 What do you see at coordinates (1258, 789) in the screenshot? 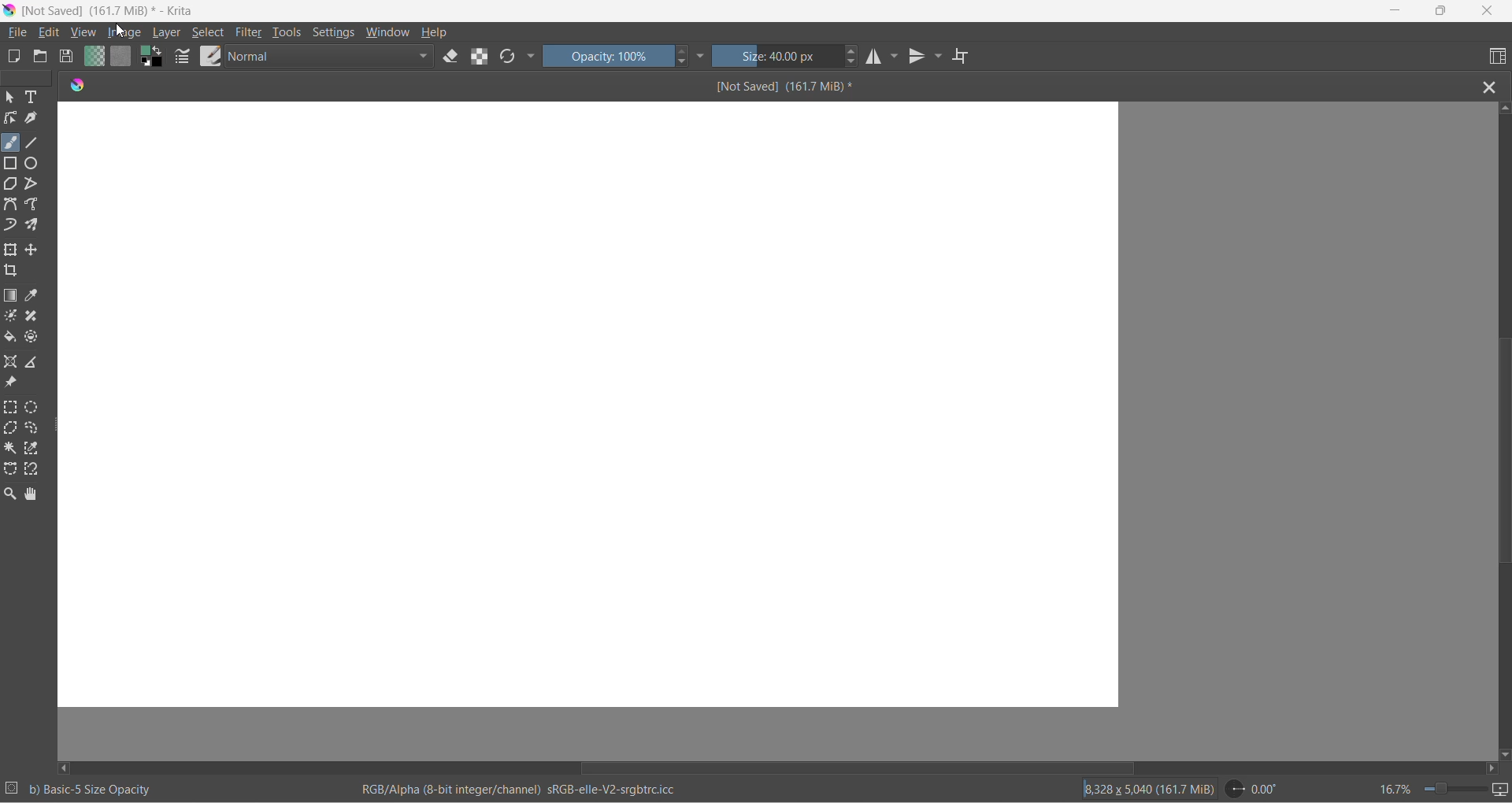
I see `rotation` at bounding box center [1258, 789].